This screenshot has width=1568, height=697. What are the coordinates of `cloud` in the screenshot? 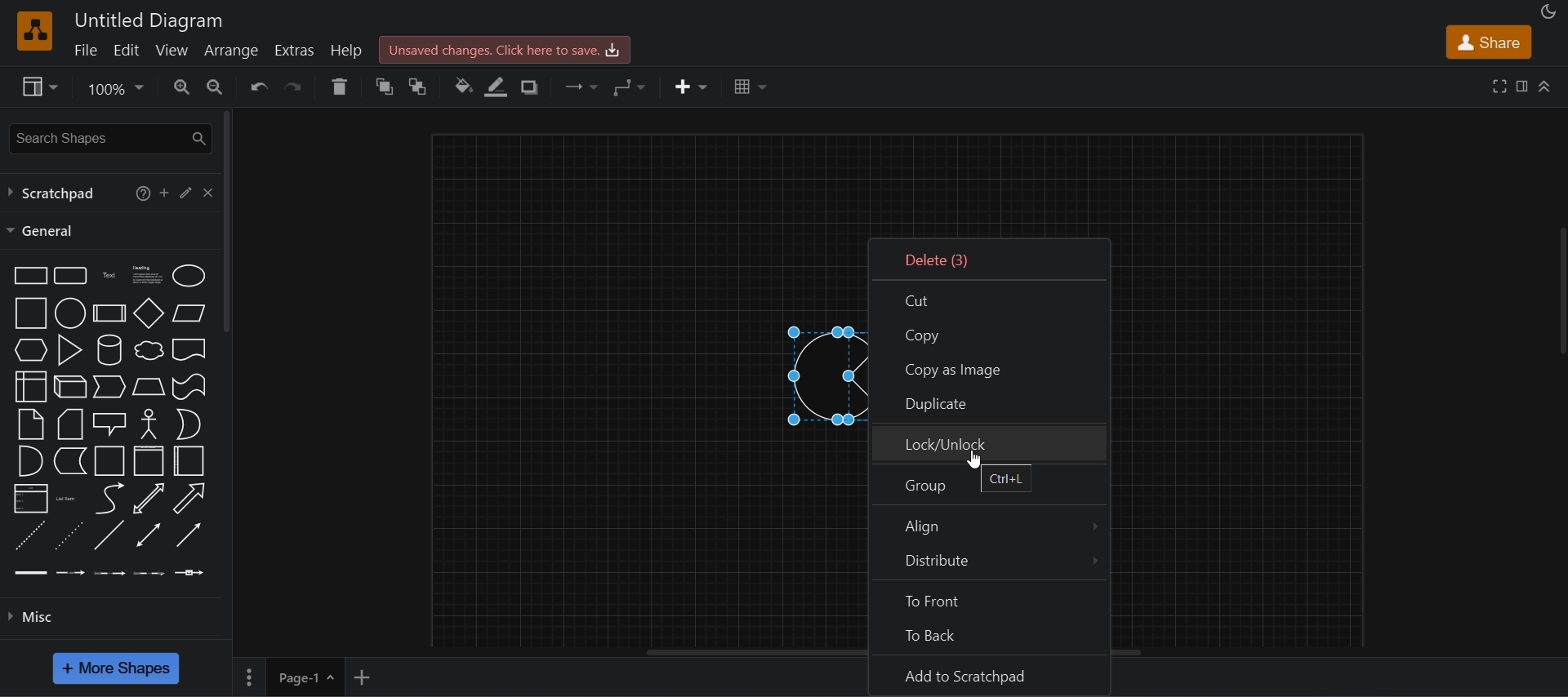 It's located at (147, 350).